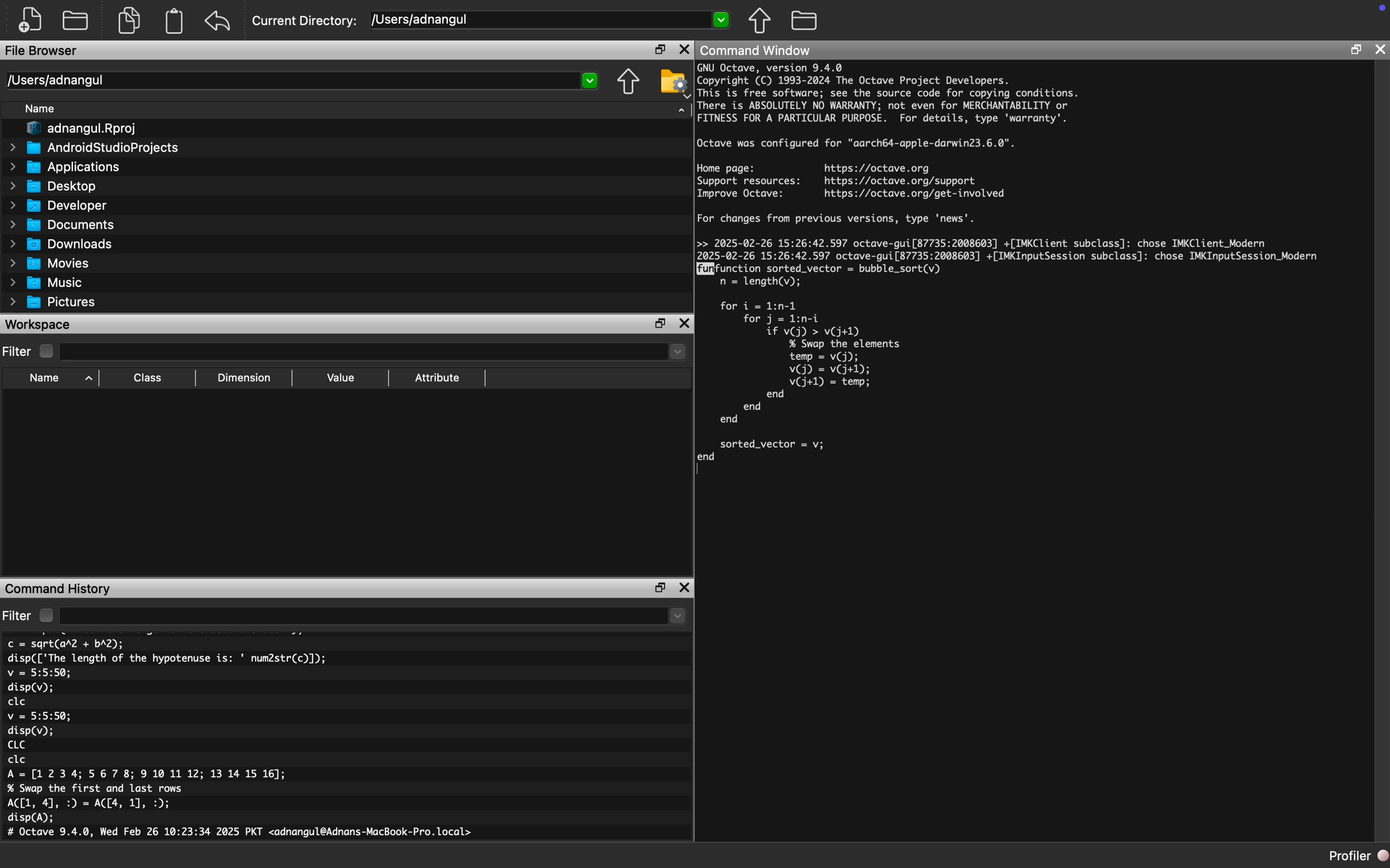 The width and height of the screenshot is (1390, 868). Describe the element at coordinates (438, 378) in the screenshot. I see `Attribute` at that location.